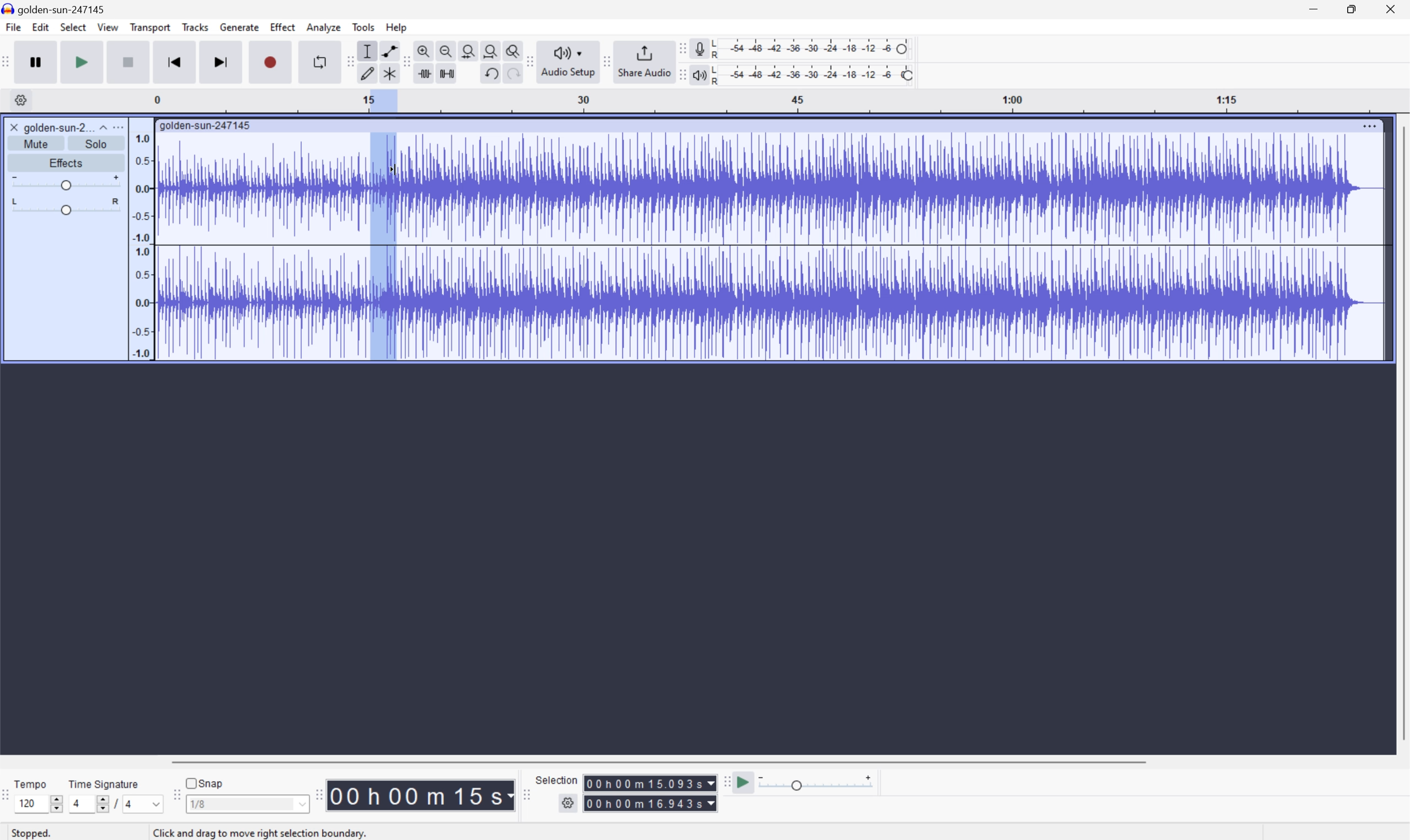  Describe the element at coordinates (35, 62) in the screenshot. I see `Pause` at that location.